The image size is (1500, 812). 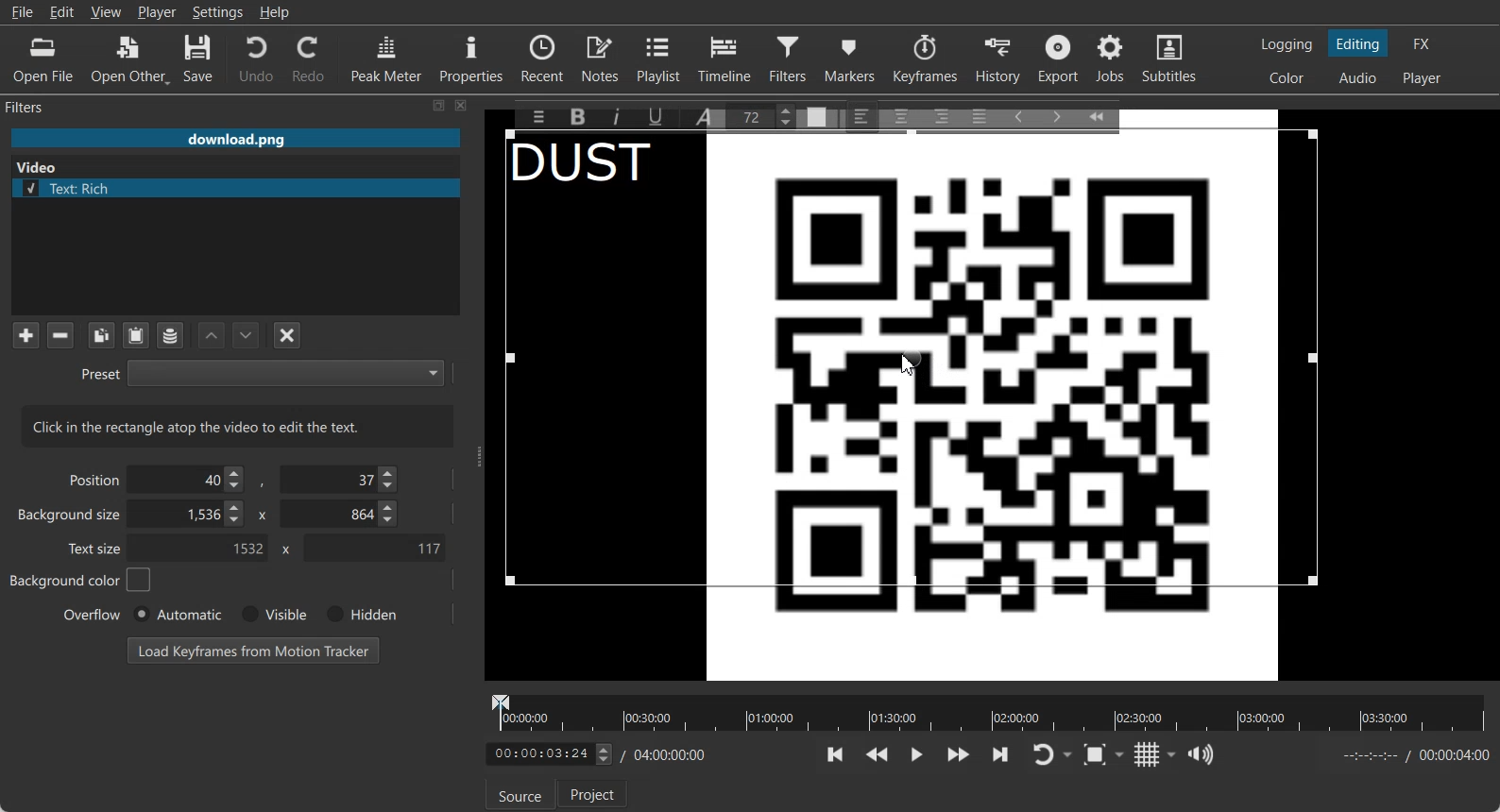 What do you see at coordinates (662, 116) in the screenshot?
I see `Underline` at bounding box center [662, 116].